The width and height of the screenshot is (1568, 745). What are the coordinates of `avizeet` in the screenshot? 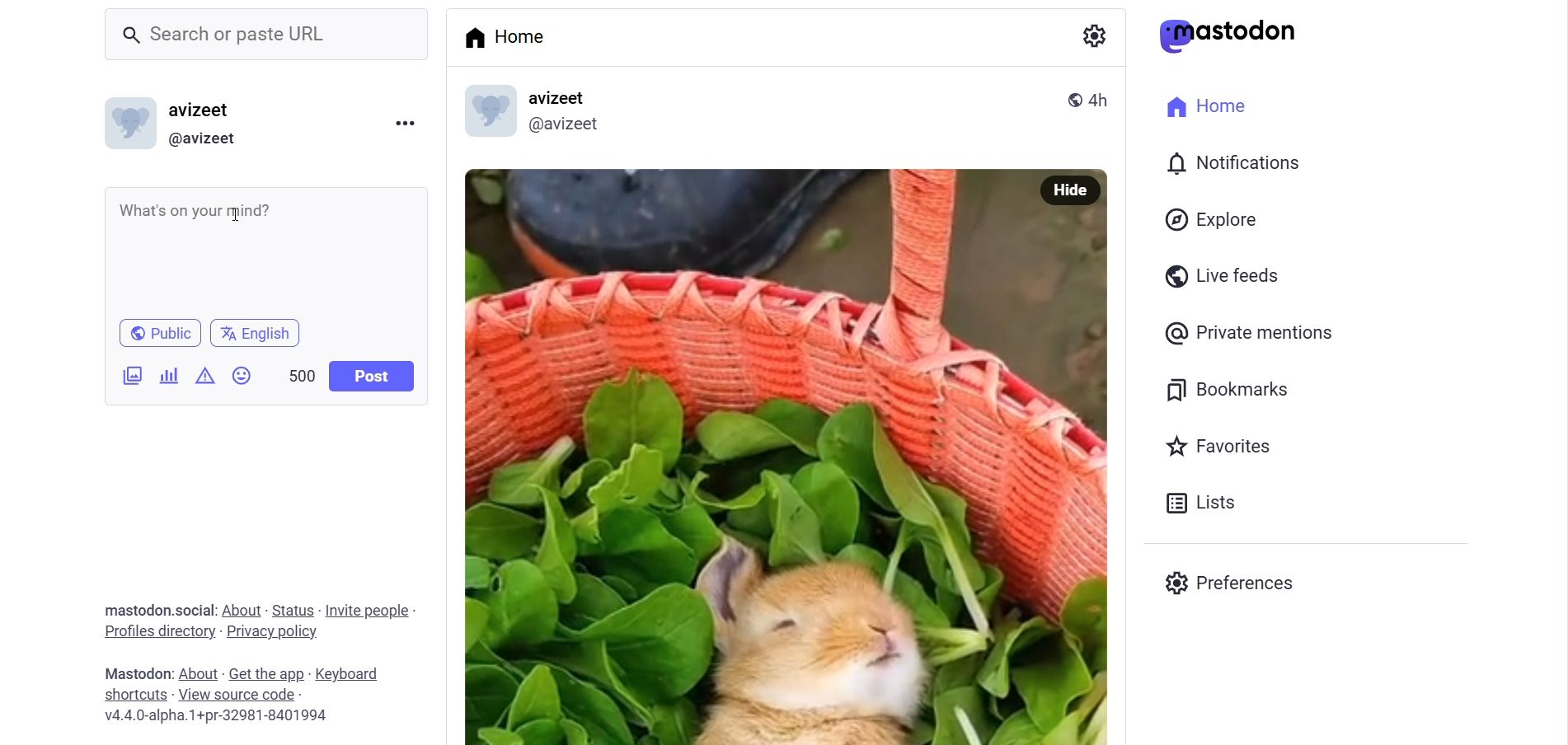 It's located at (214, 112).